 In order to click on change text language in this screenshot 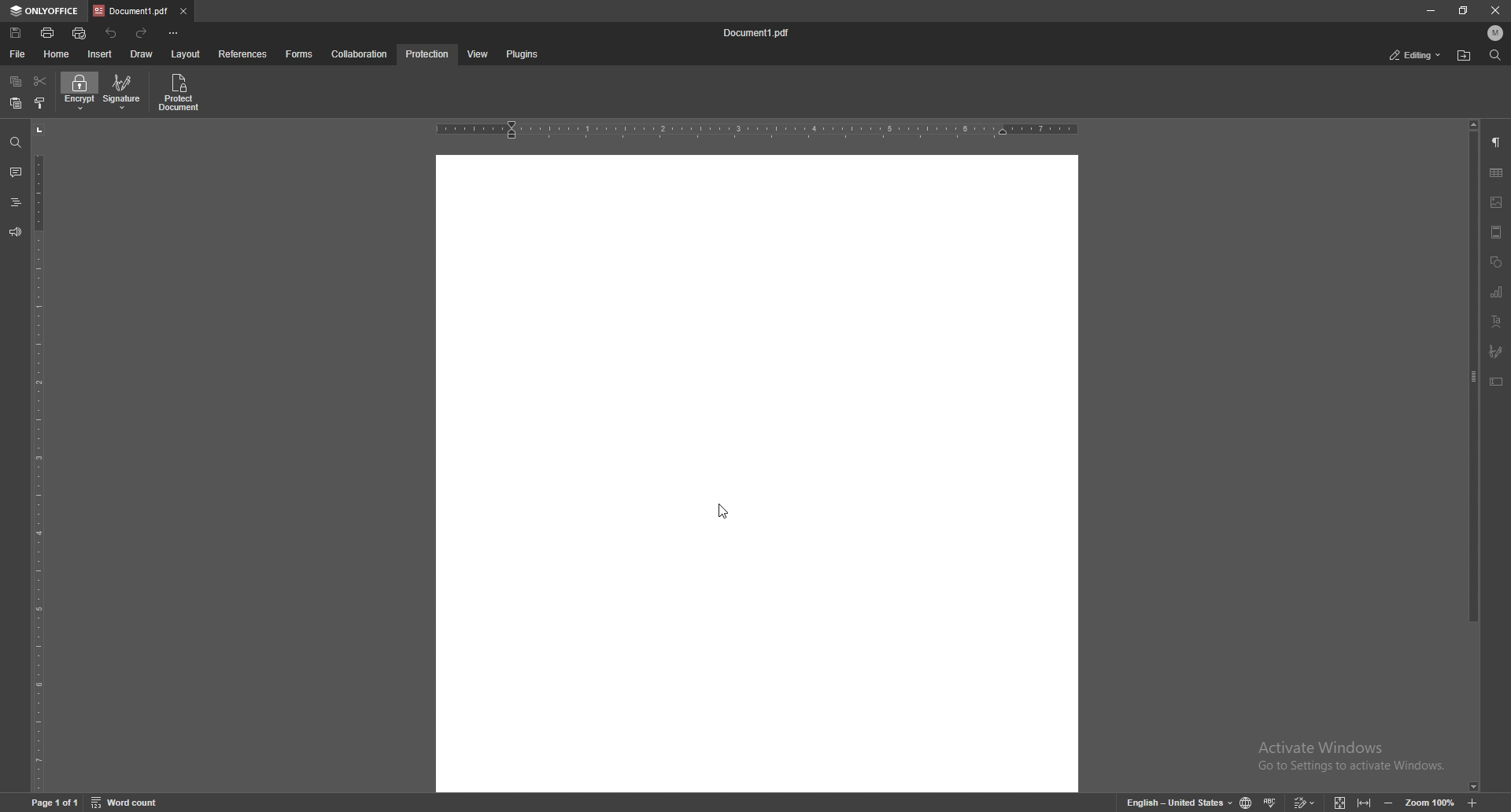, I will do `click(1180, 801)`.